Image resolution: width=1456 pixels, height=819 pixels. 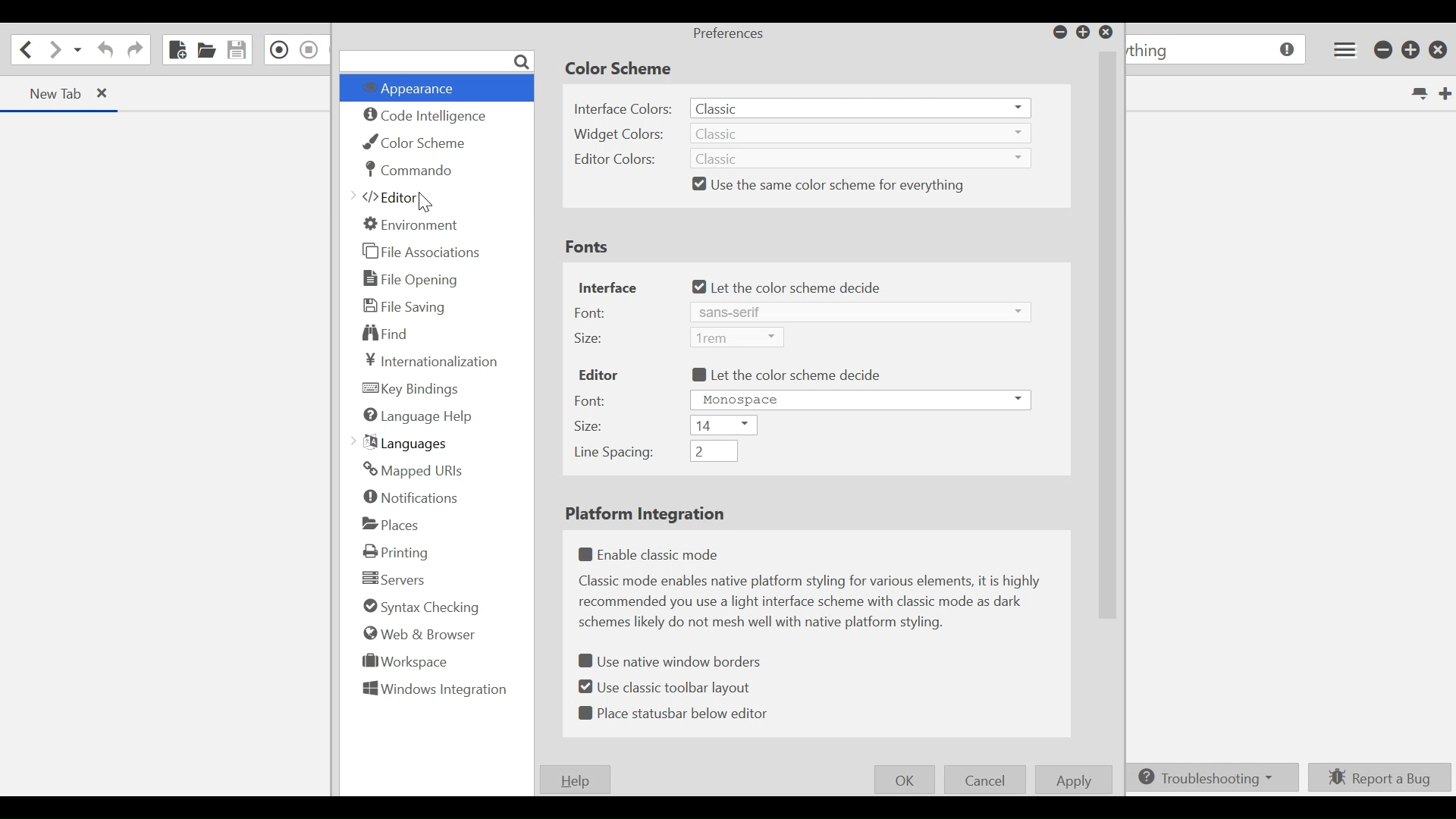 I want to click on OK, so click(x=904, y=780).